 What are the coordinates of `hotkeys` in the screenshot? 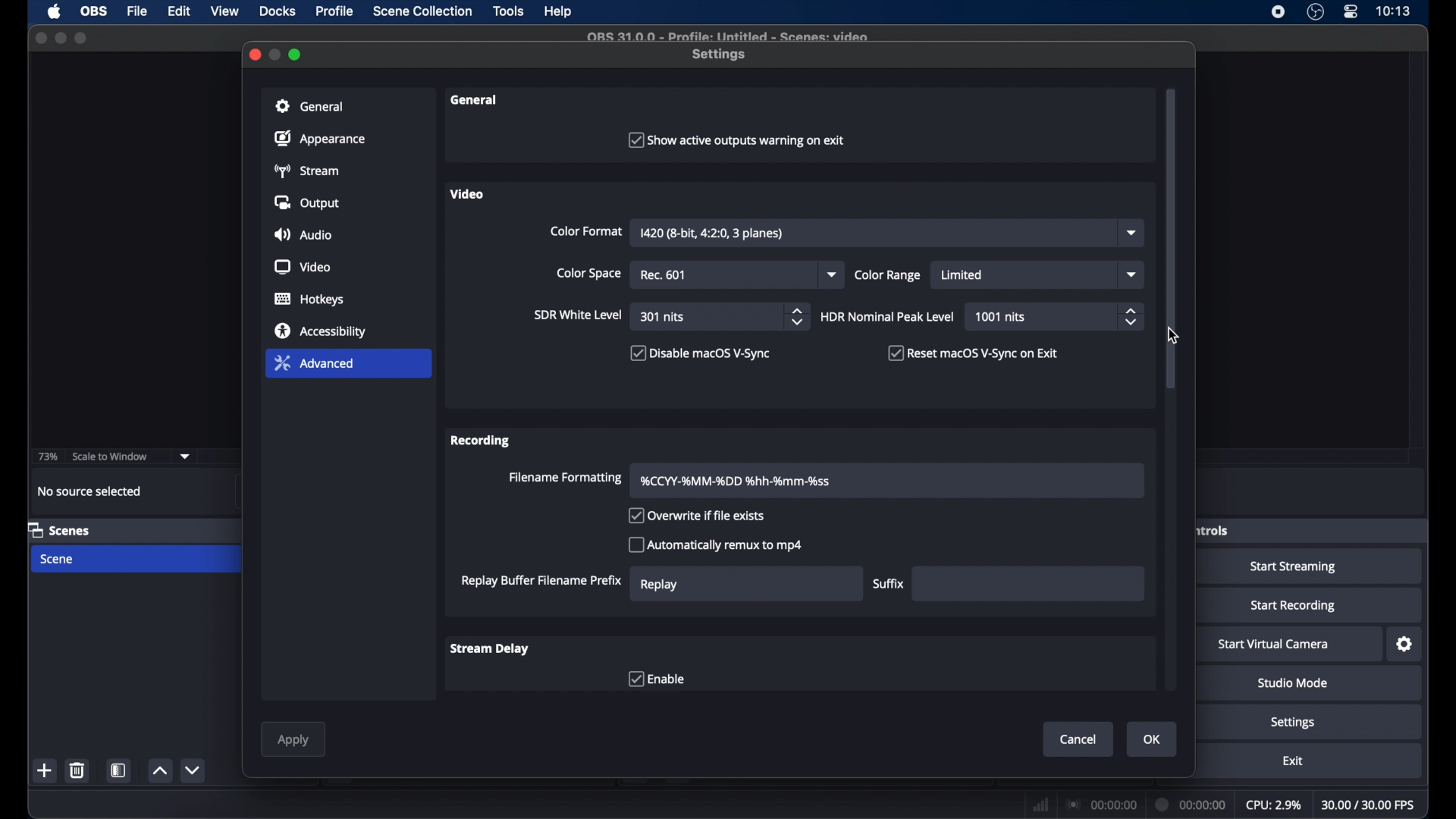 It's located at (310, 300).